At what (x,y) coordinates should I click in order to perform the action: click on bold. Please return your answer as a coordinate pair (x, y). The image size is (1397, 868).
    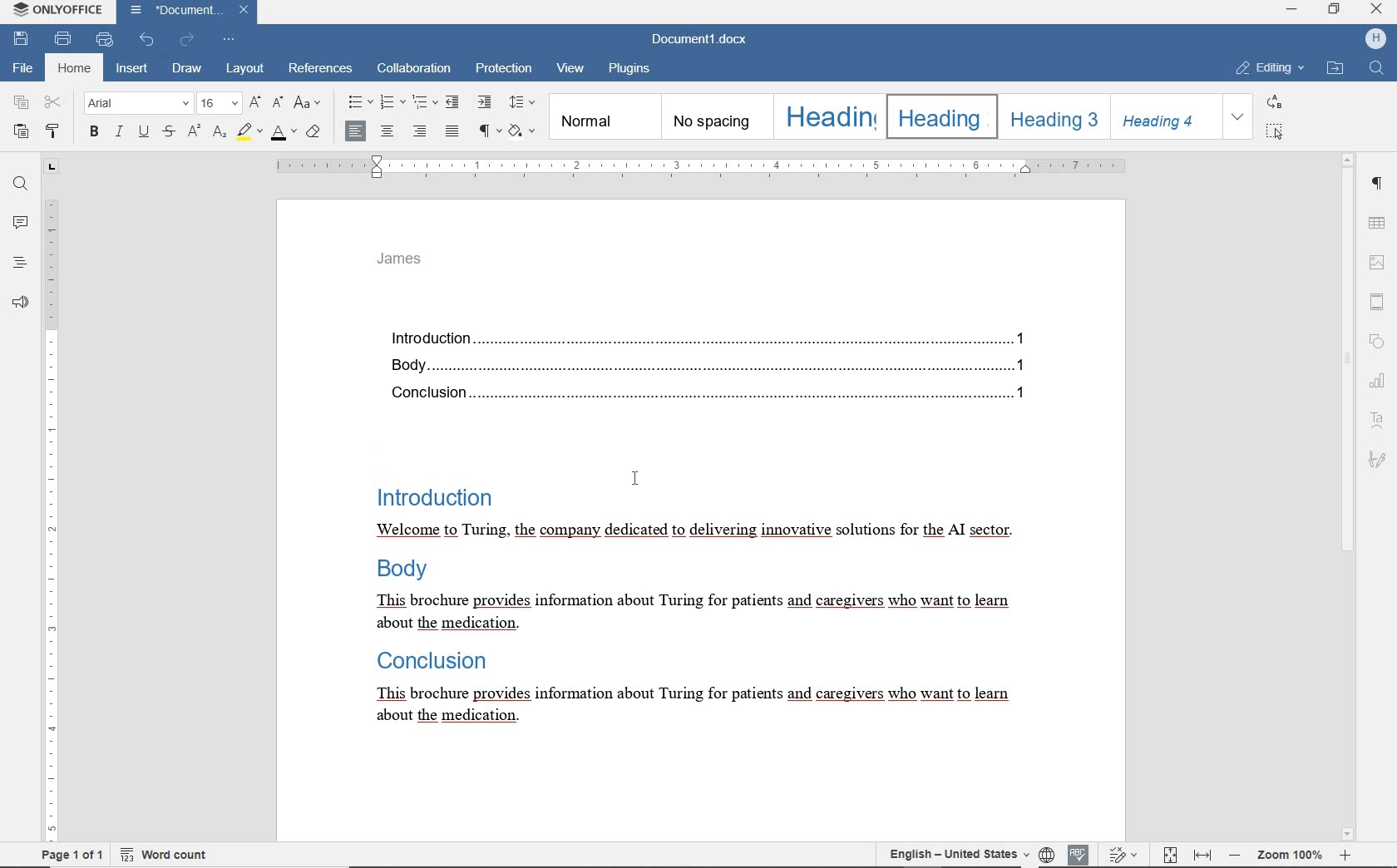
    Looking at the image, I should click on (93, 133).